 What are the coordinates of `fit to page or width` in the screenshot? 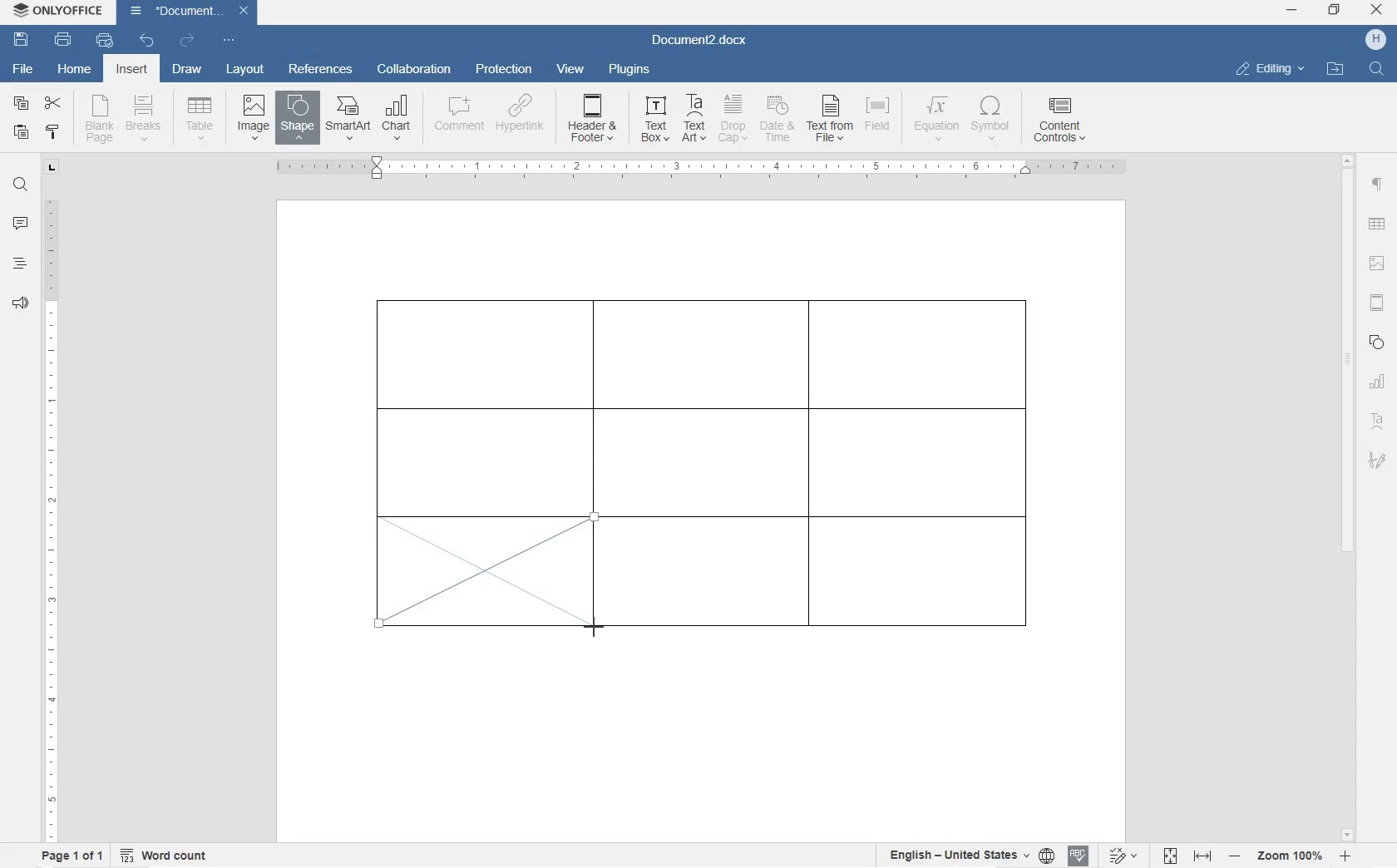 It's located at (1187, 855).